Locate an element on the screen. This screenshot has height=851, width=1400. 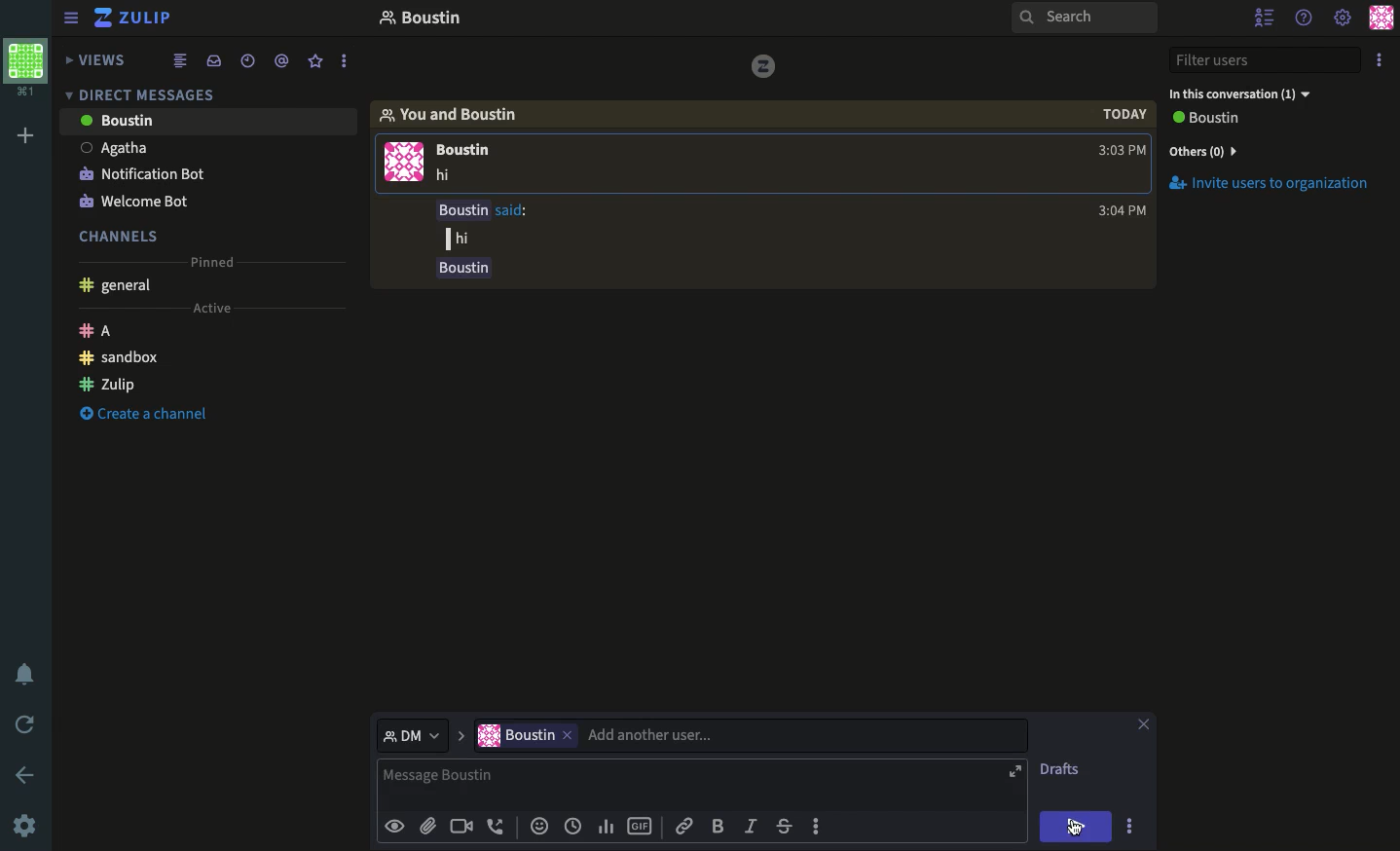
Welcome bot is located at coordinates (139, 197).